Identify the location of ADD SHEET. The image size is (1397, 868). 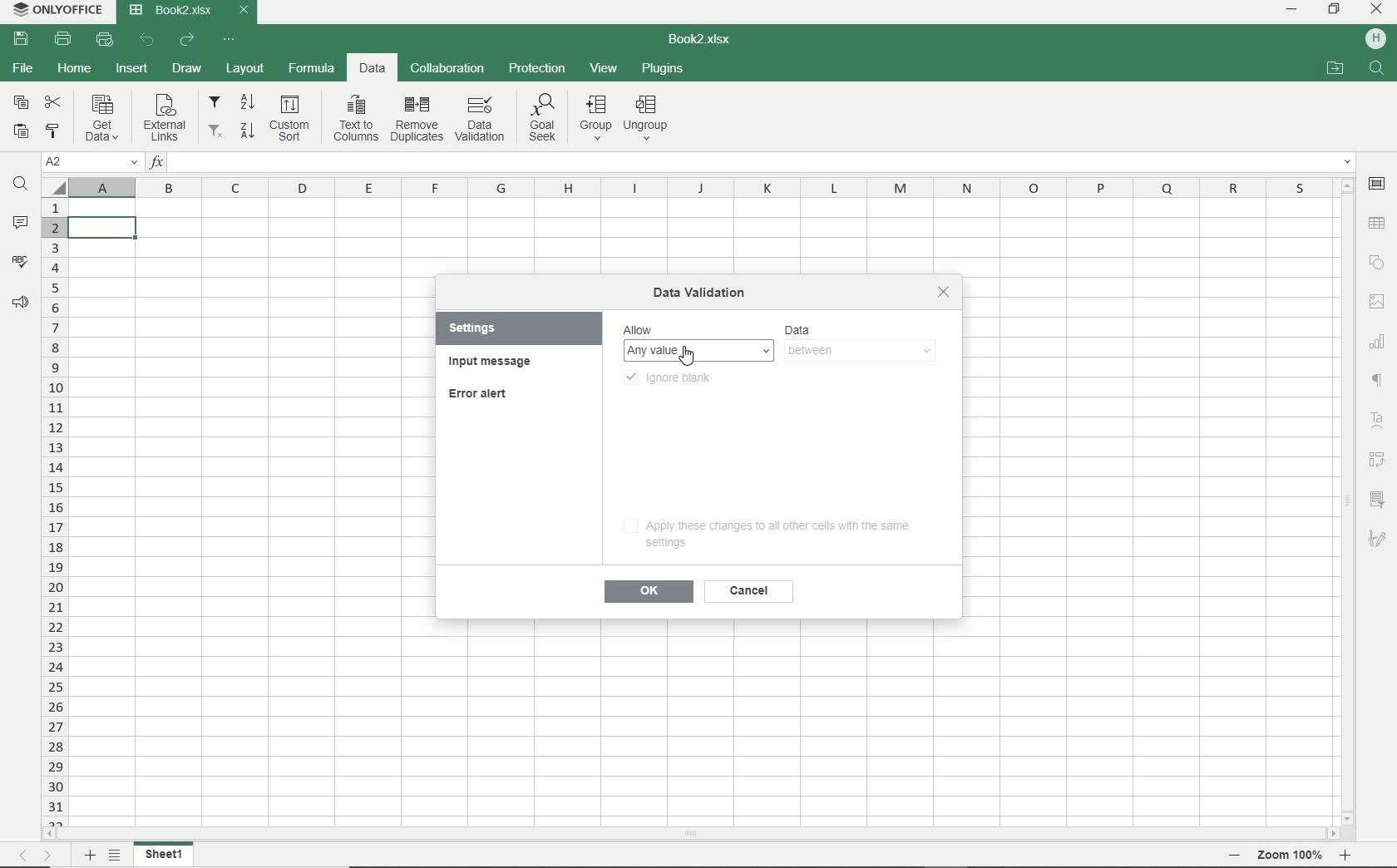
(90, 856).